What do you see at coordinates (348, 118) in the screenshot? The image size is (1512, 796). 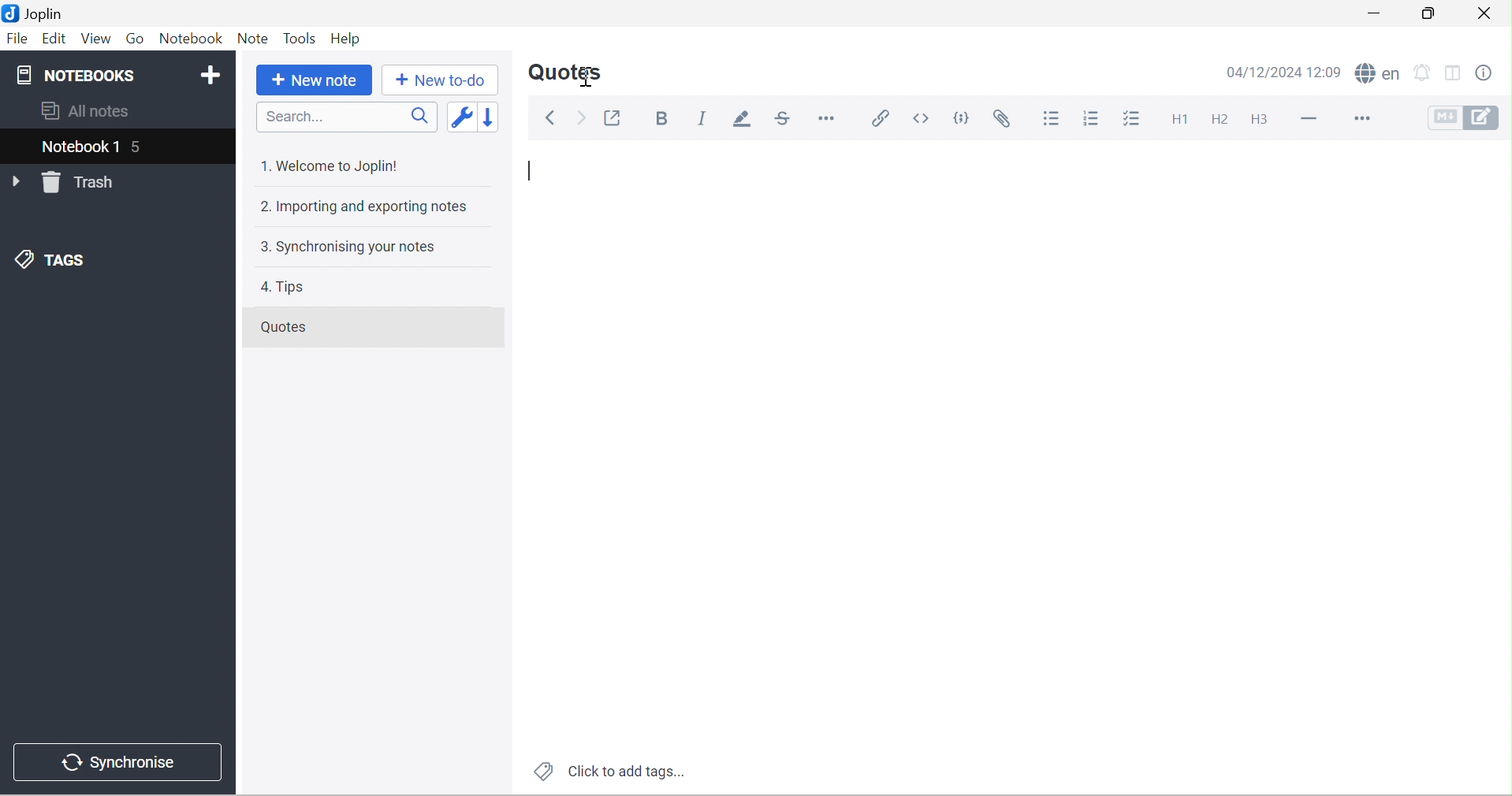 I see `Search` at bounding box center [348, 118].